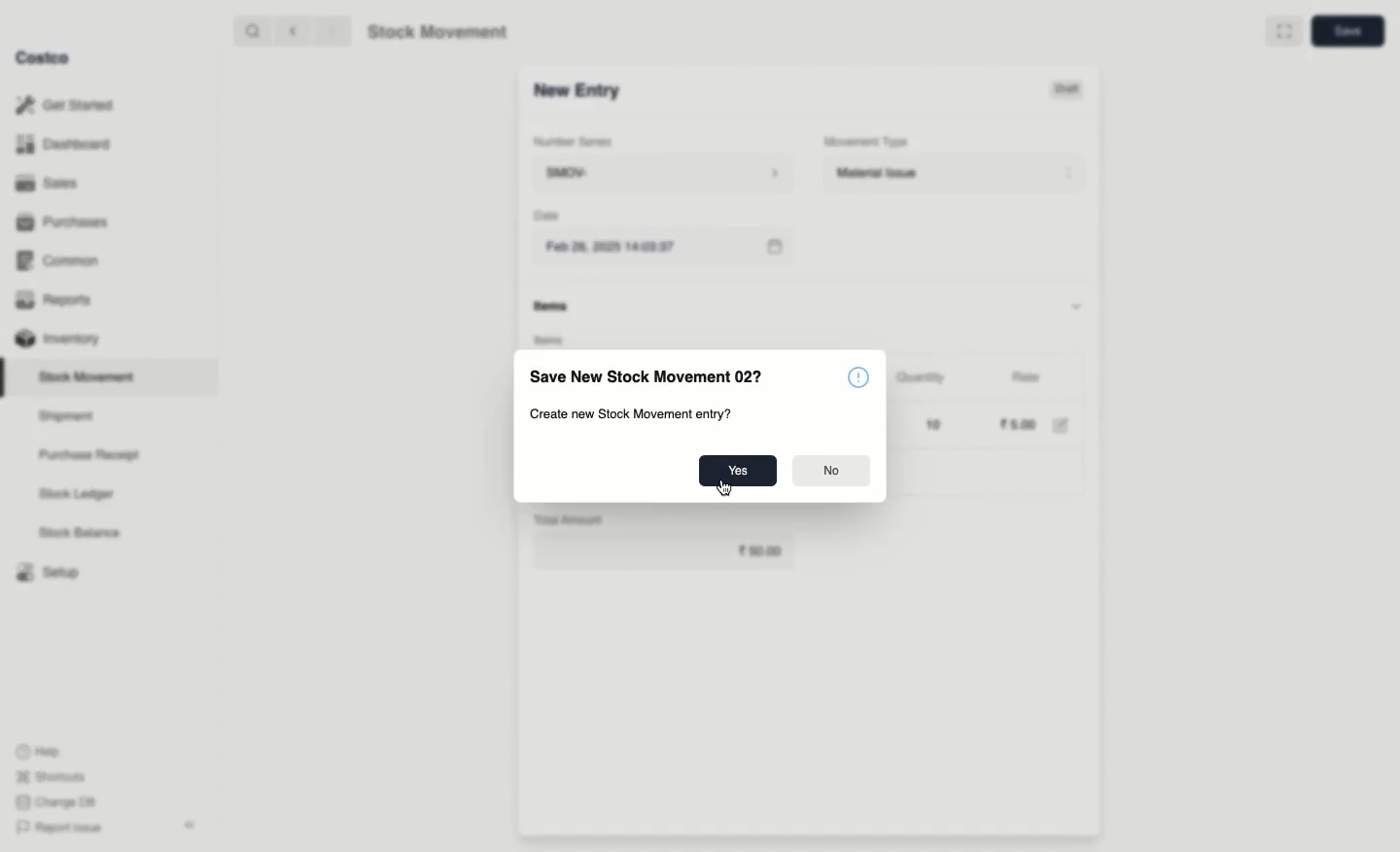 The width and height of the screenshot is (1400, 852). I want to click on Stock Balance, so click(82, 533).